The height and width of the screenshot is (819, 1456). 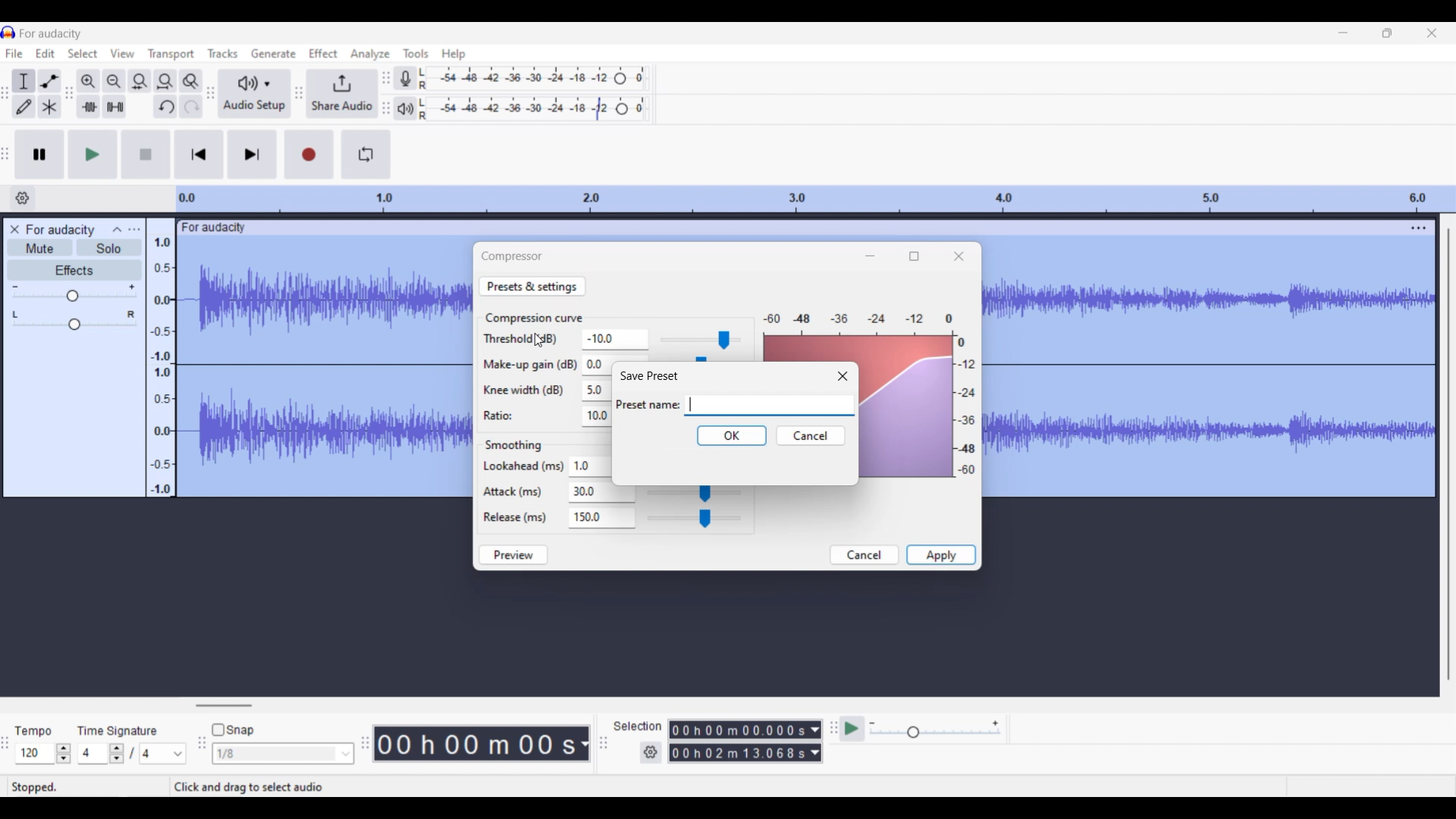 What do you see at coordinates (637, 725) in the screenshot?
I see `Indicates selection settings` at bounding box center [637, 725].